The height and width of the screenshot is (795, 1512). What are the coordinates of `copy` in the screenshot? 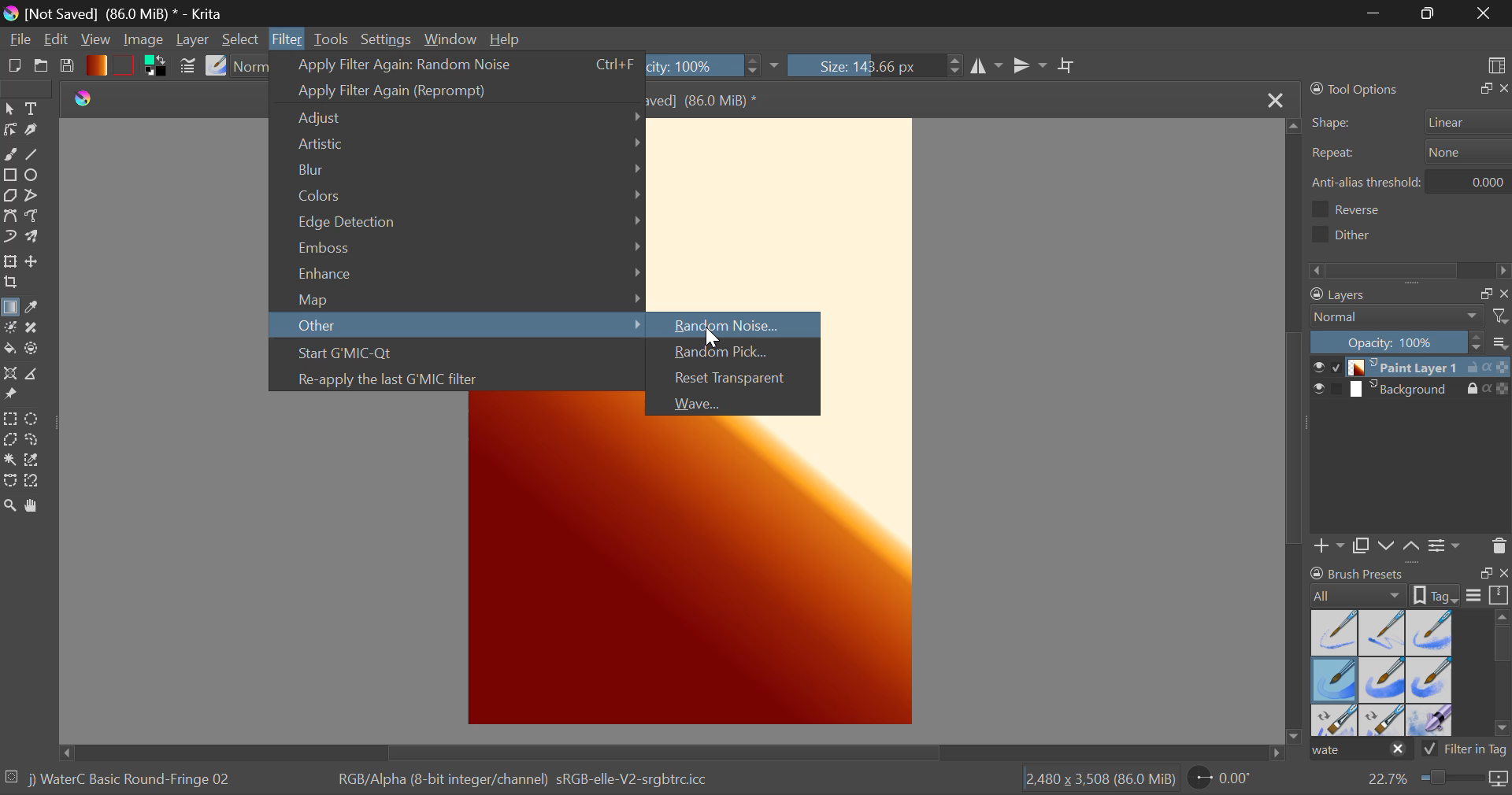 It's located at (1360, 547).